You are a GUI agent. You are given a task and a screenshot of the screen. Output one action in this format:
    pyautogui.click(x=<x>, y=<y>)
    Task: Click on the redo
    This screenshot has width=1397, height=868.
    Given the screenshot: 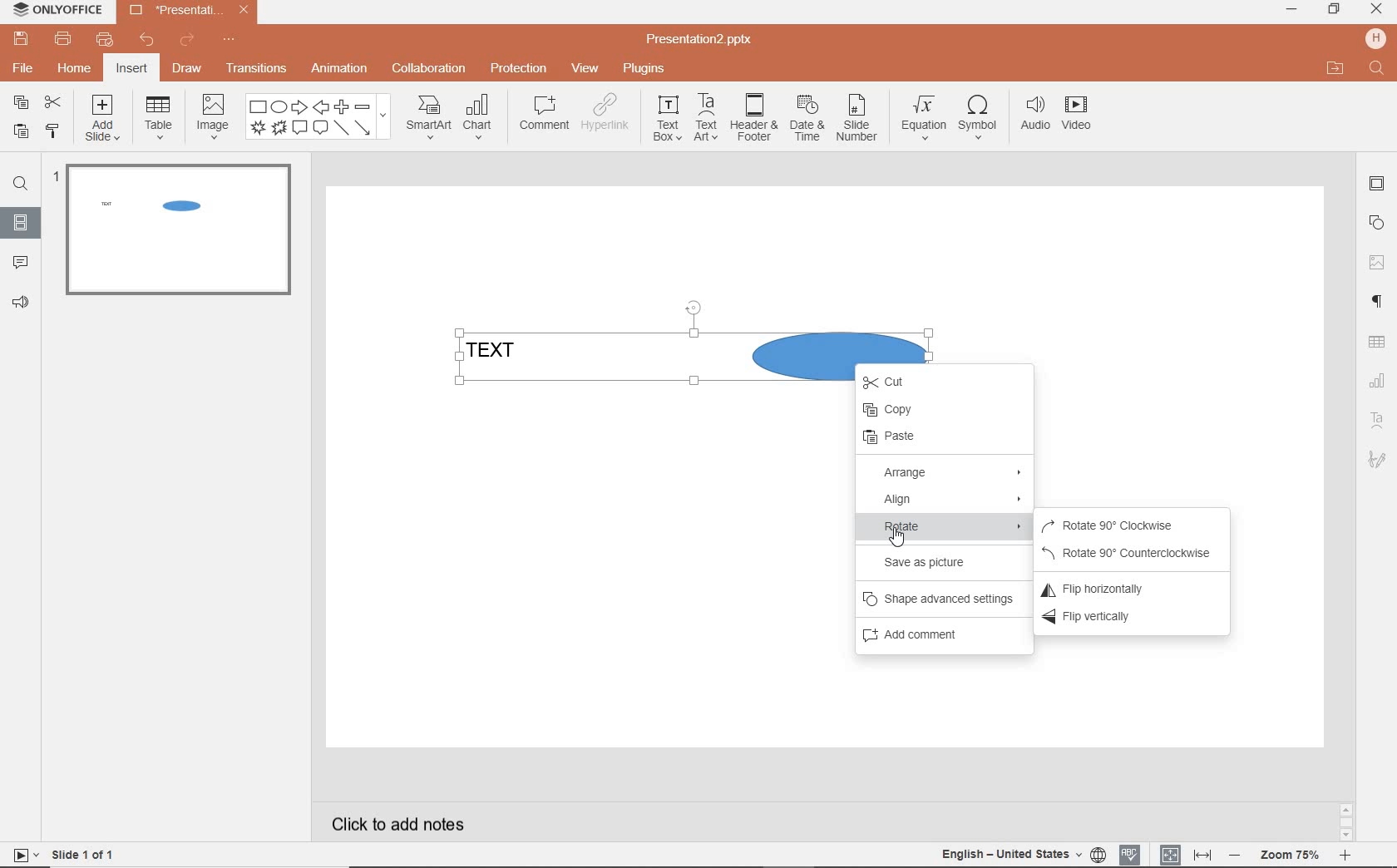 What is the action you would take?
    pyautogui.click(x=186, y=42)
    